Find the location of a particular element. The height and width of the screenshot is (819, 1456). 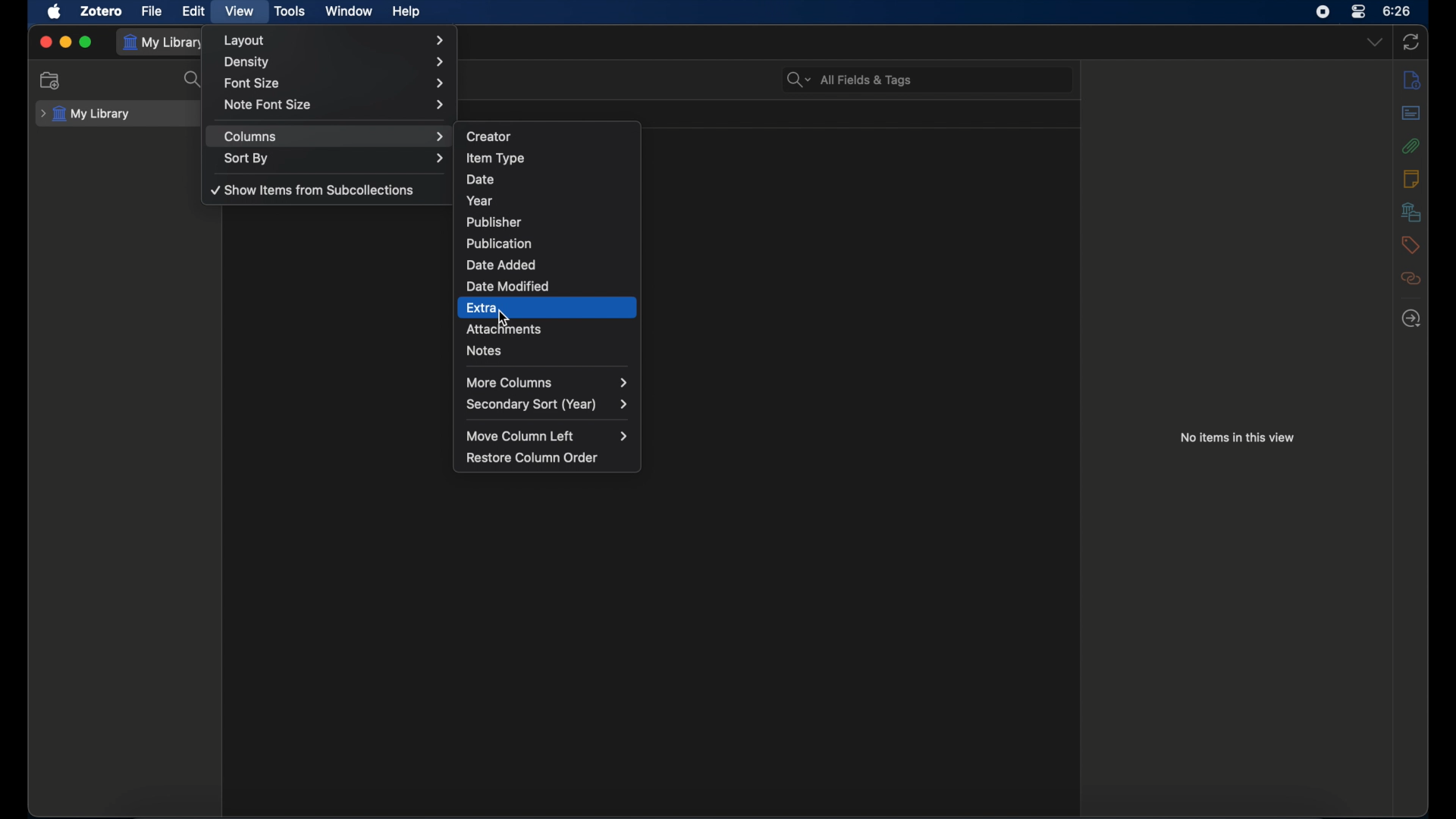

layout is located at coordinates (337, 40).